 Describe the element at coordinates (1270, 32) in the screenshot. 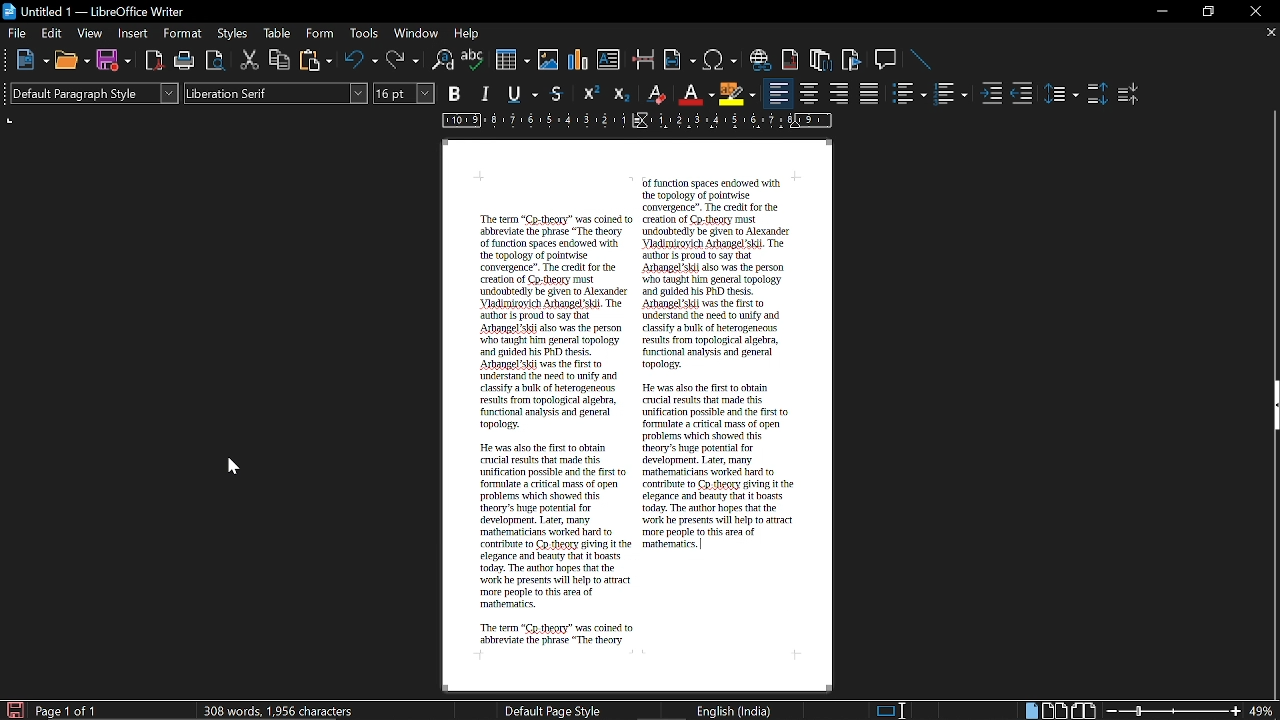

I see `CLose tab` at that location.